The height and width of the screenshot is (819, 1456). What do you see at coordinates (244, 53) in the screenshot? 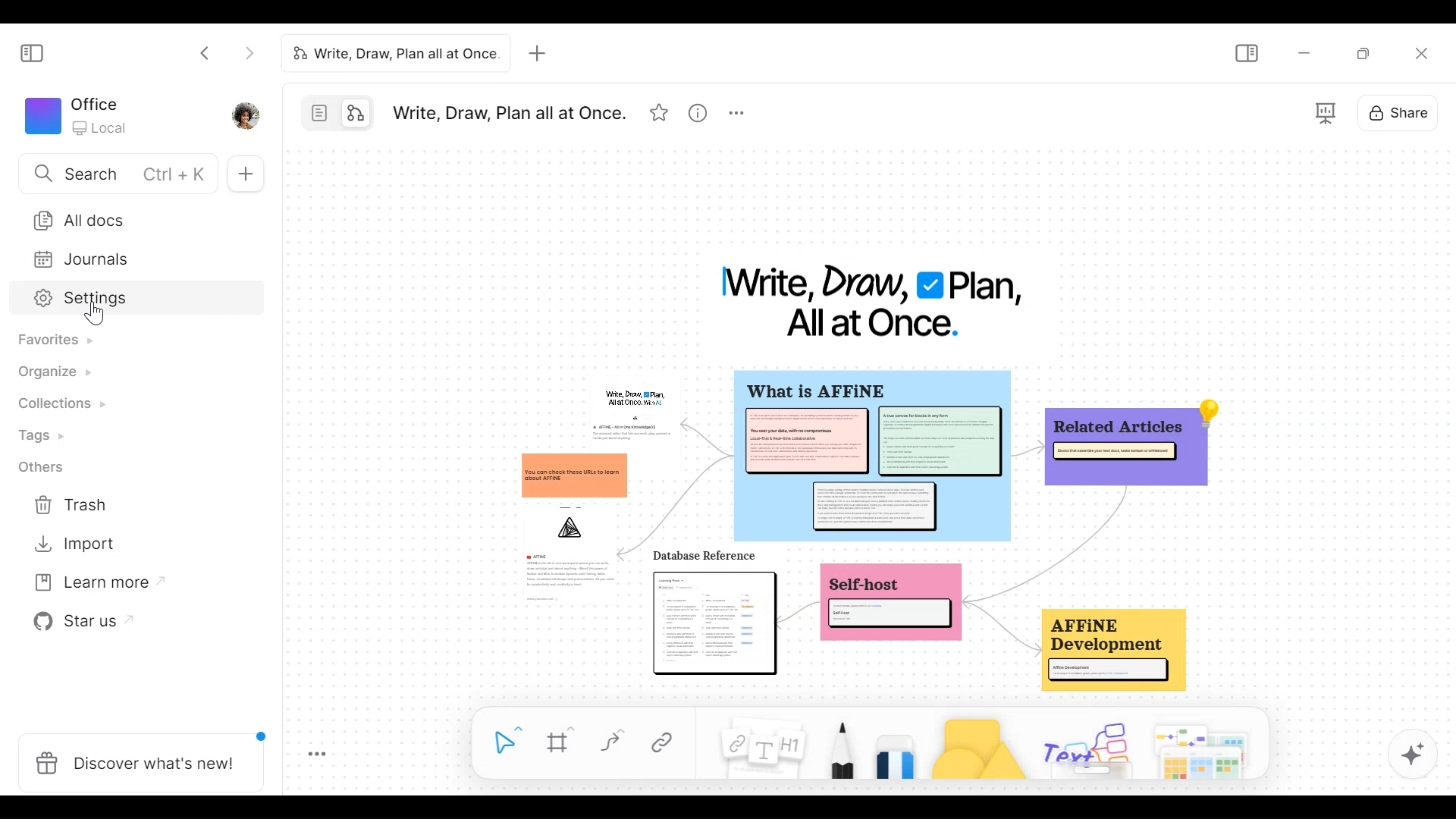
I see `Click to go forward` at bounding box center [244, 53].